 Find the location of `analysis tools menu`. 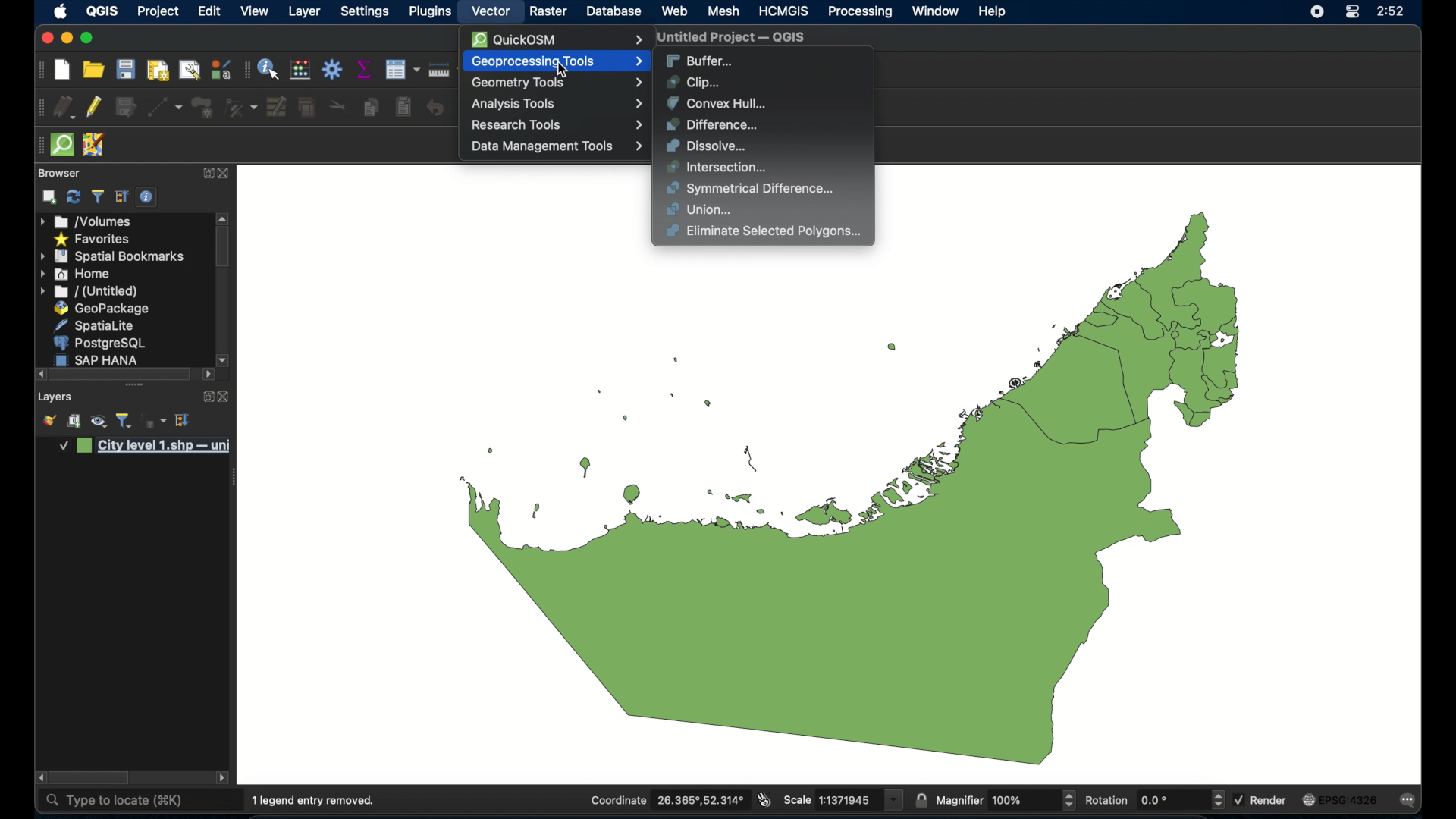

analysis tools menu is located at coordinates (556, 104).